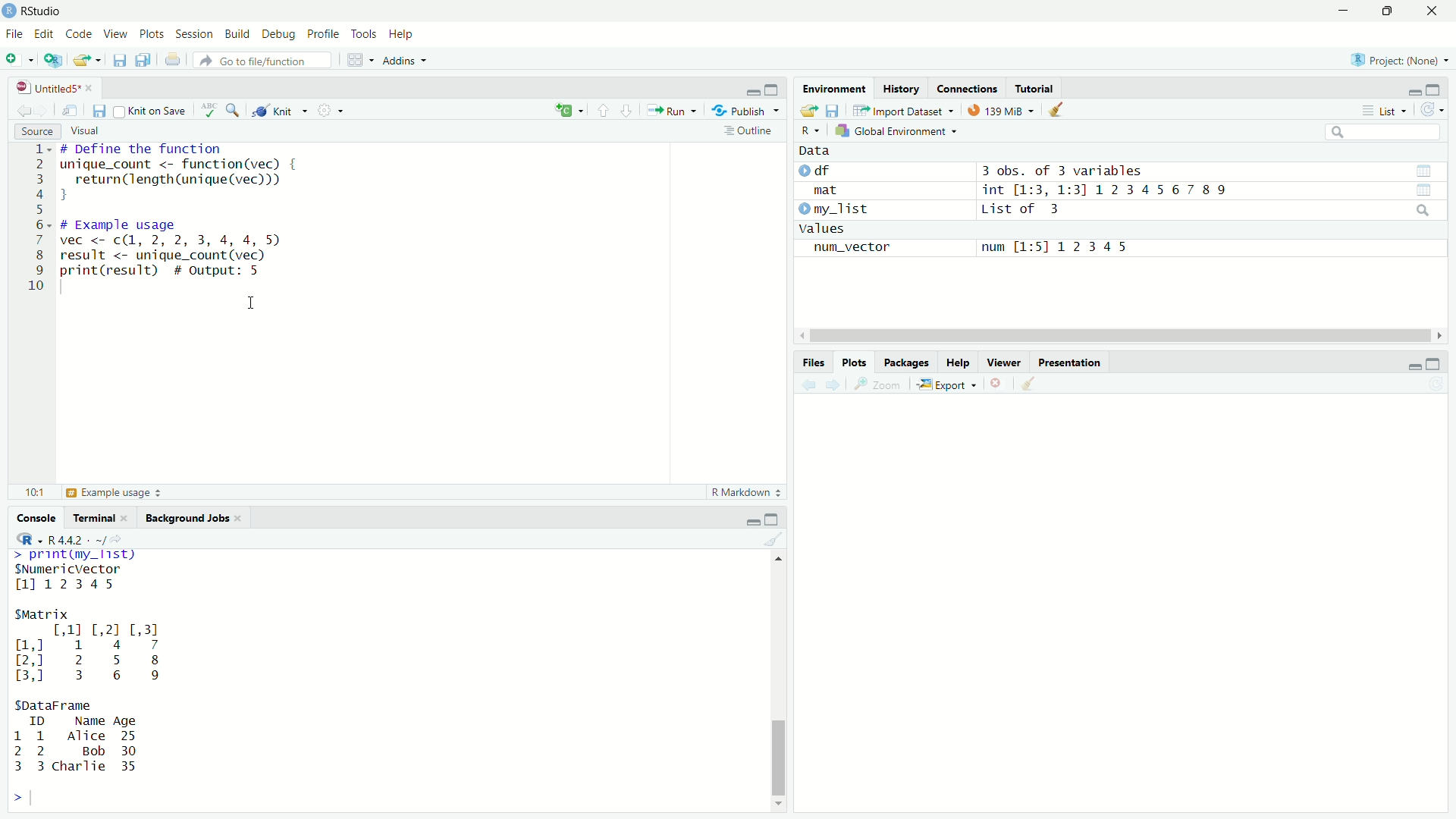  Describe the element at coordinates (780, 757) in the screenshot. I see `scroll bar` at that location.